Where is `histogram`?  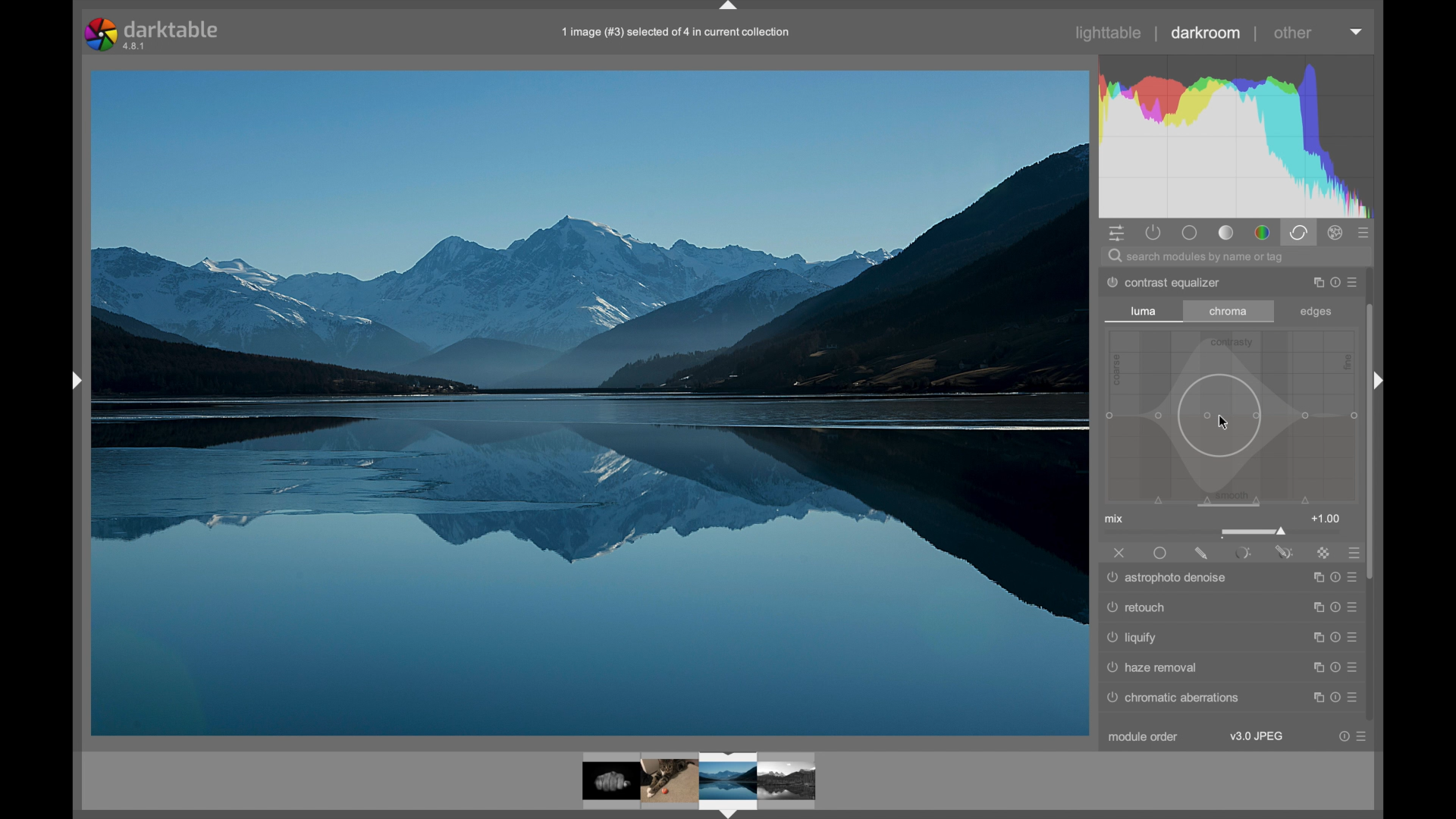 histogram is located at coordinates (1238, 135).